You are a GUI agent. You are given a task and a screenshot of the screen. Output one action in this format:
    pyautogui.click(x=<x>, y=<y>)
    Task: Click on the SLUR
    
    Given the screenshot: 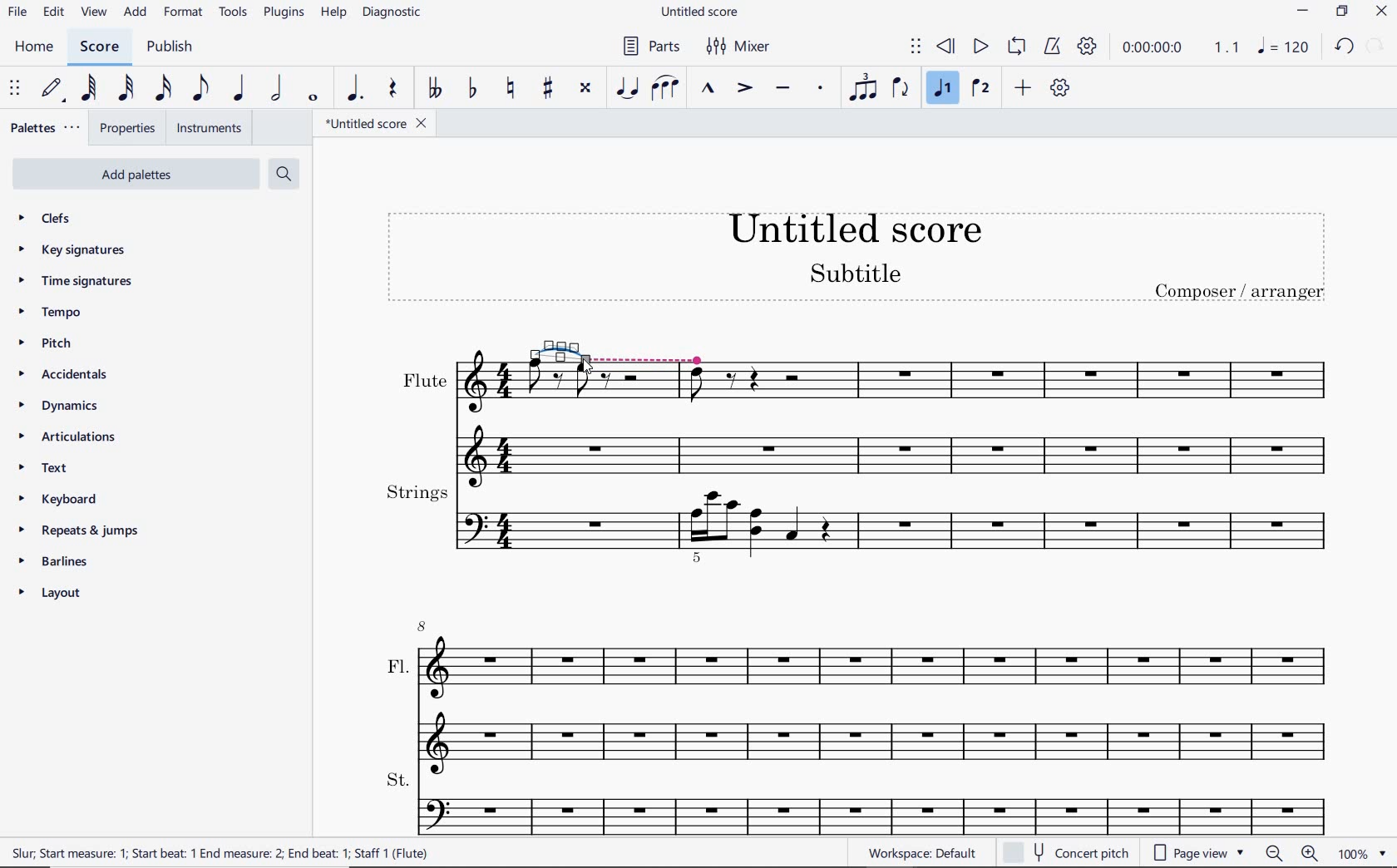 What is the action you would take?
    pyautogui.click(x=663, y=89)
    